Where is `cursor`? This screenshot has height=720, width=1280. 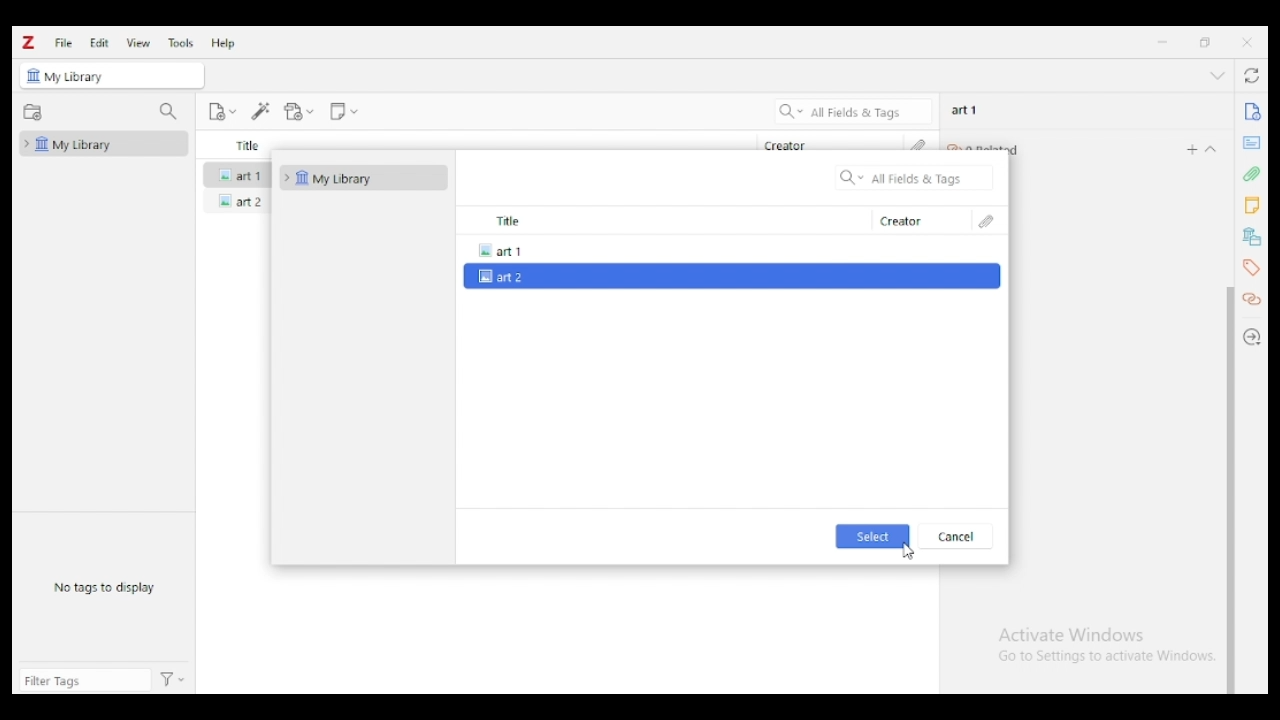
cursor is located at coordinates (910, 551).